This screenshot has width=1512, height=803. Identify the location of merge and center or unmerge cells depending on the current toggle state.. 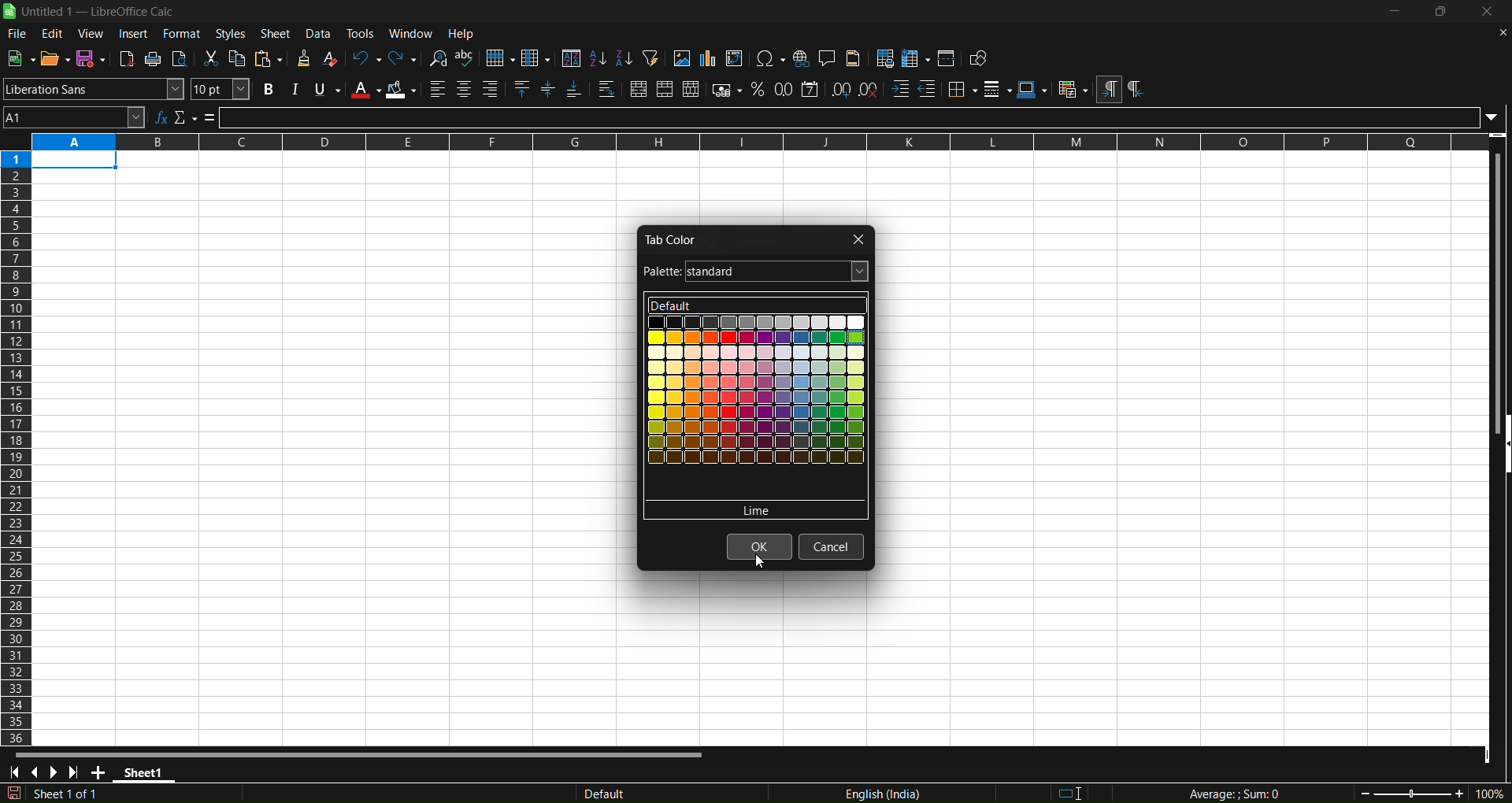
(639, 91).